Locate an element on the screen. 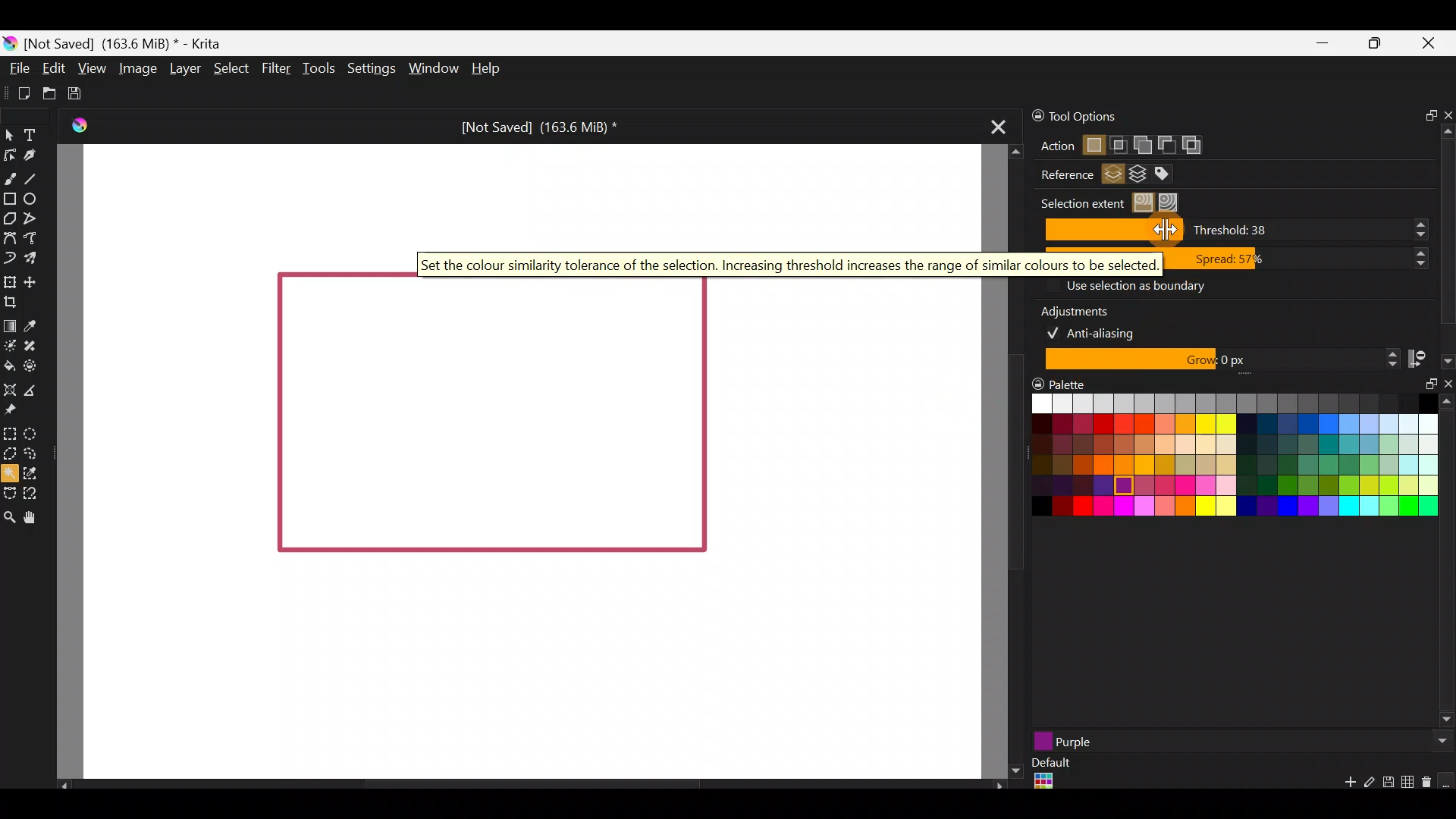  Maximize is located at coordinates (1379, 47).